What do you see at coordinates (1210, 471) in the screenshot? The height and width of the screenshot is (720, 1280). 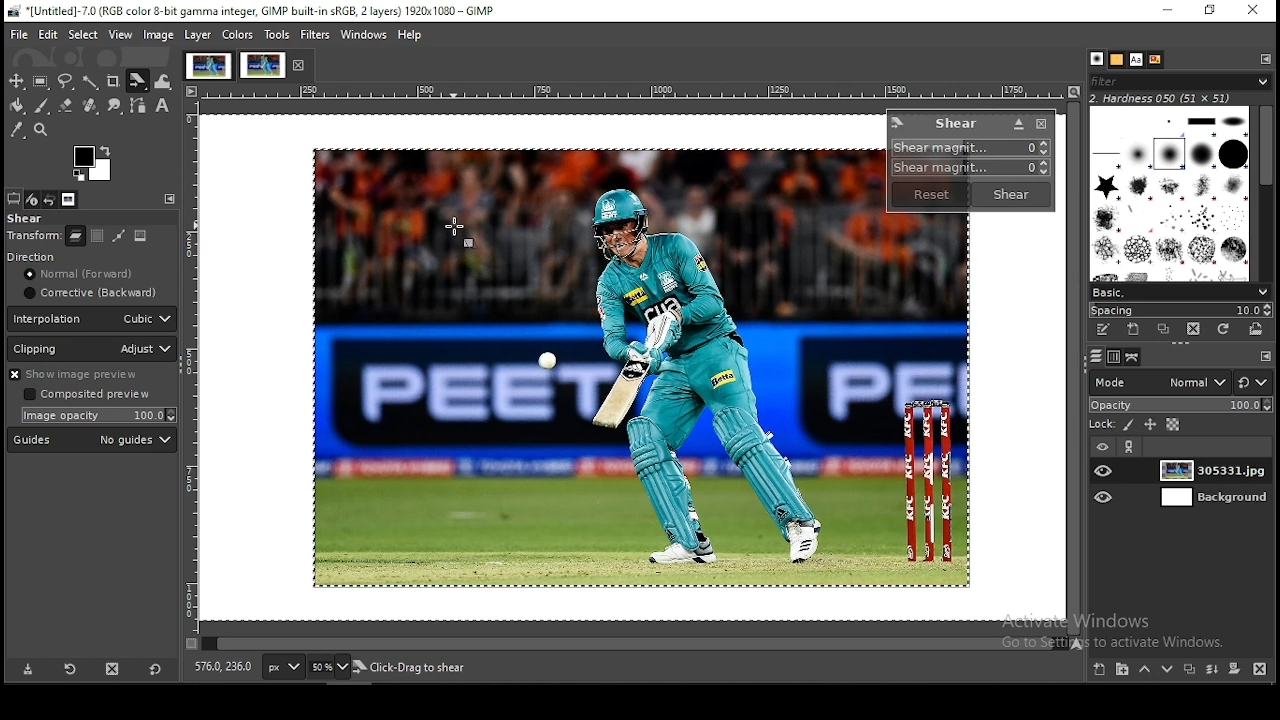 I see `layer` at bounding box center [1210, 471].